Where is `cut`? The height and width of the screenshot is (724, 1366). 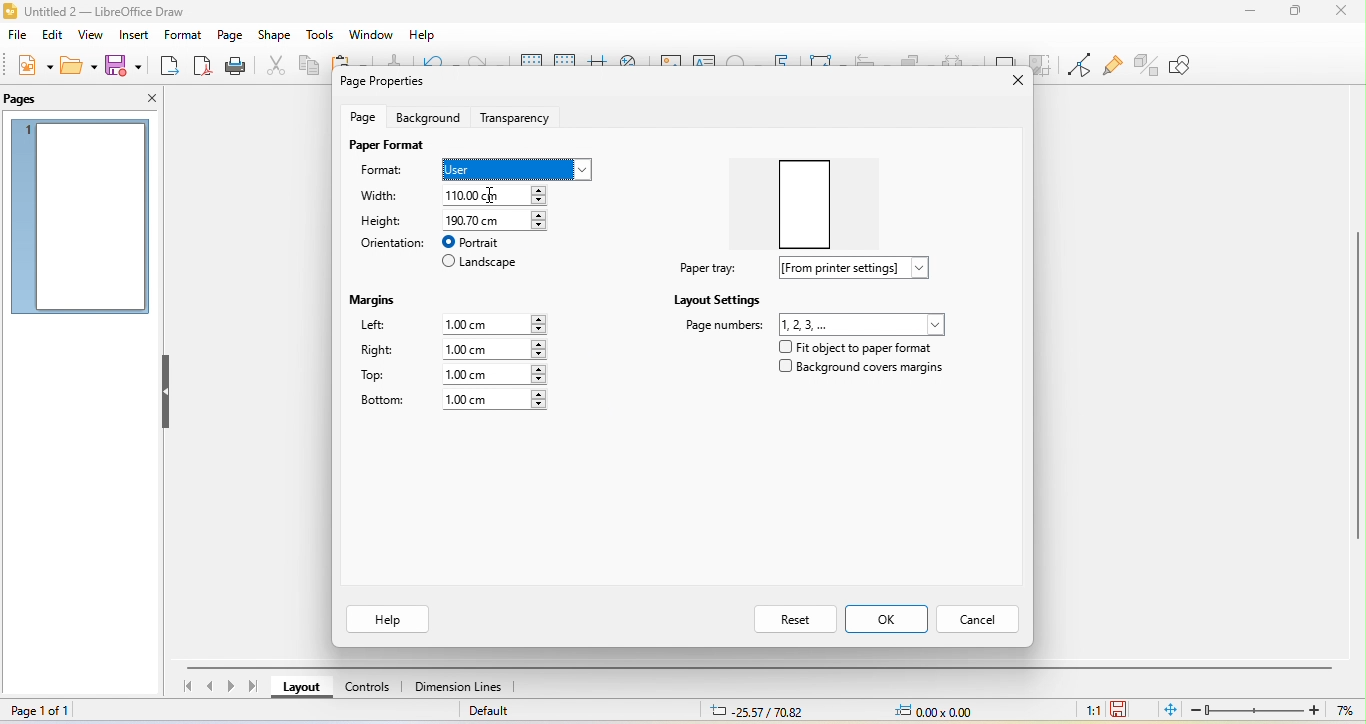
cut is located at coordinates (272, 65).